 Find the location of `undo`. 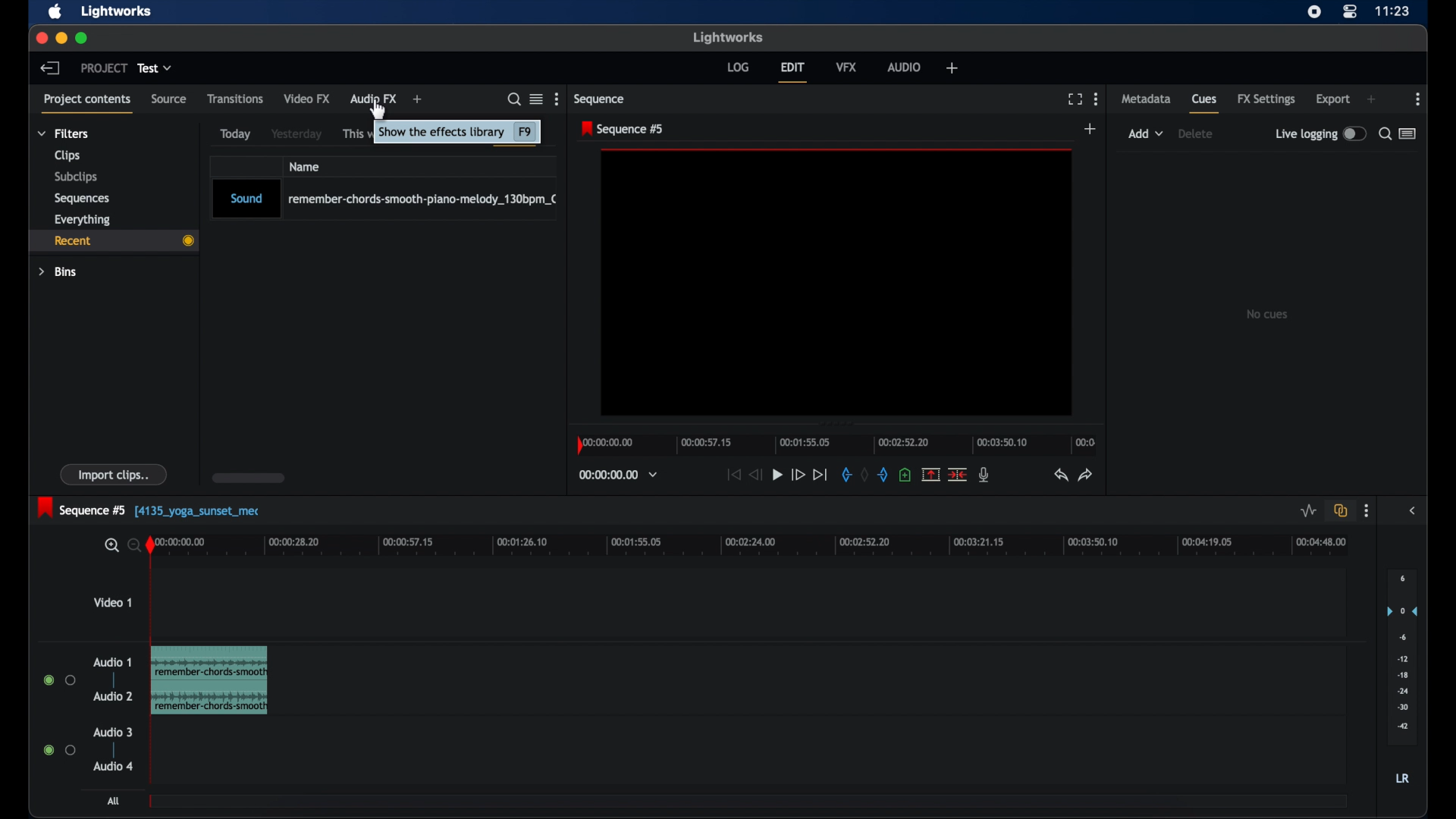

undo is located at coordinates (1059, 475).